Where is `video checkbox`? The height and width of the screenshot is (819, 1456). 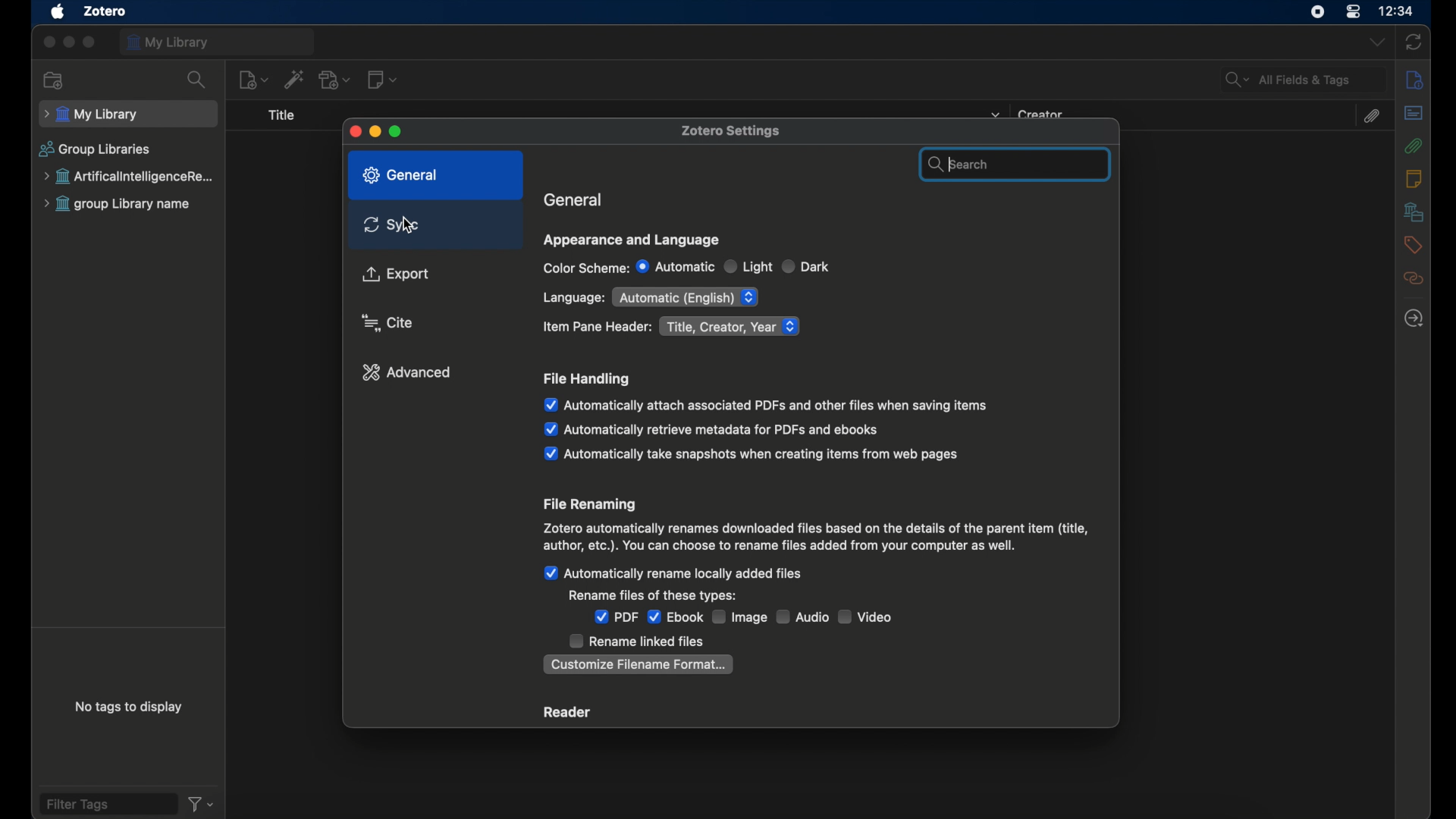
video checkbox is located at coordinates (865, 617).